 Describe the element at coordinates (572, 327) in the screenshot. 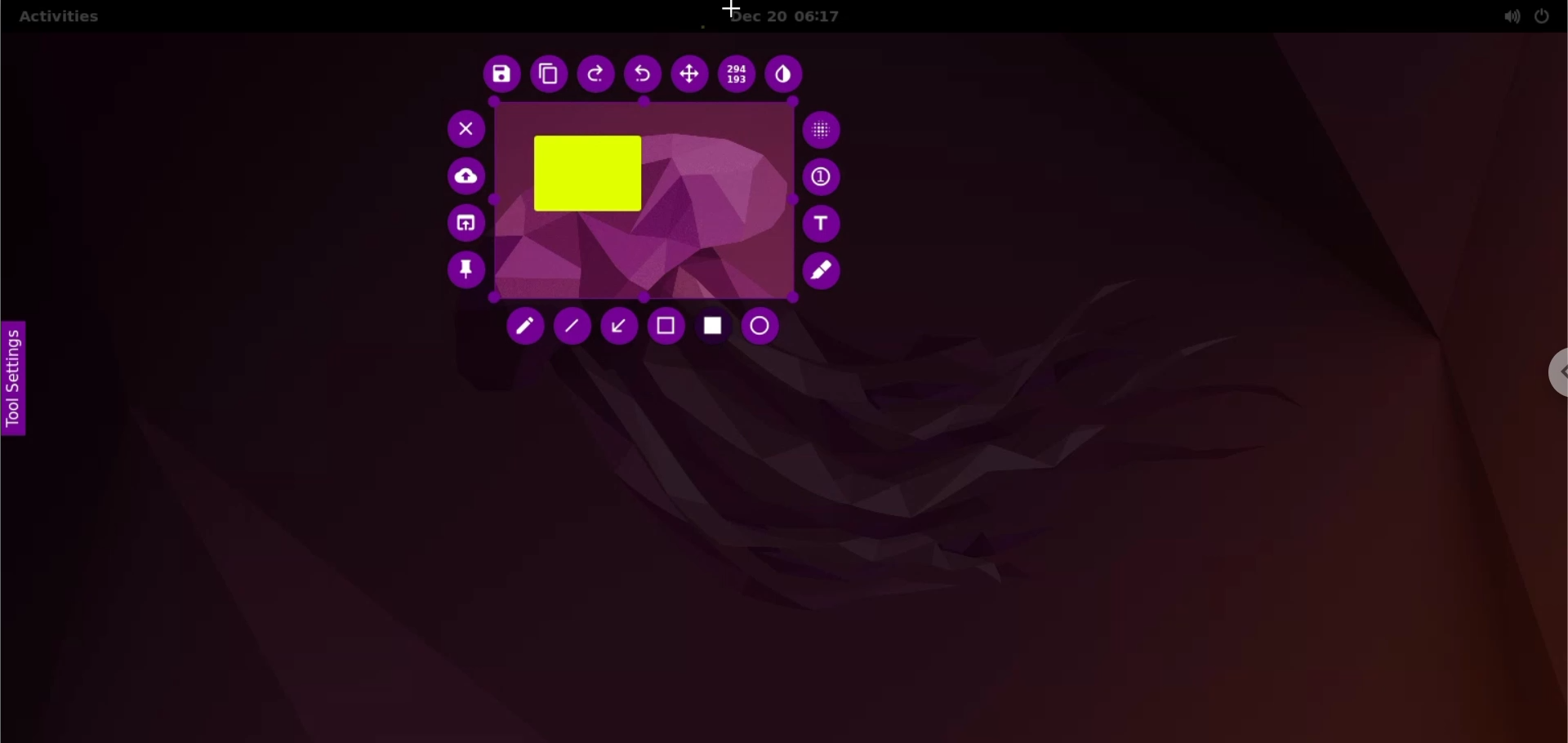

I see `line tool` at that location.